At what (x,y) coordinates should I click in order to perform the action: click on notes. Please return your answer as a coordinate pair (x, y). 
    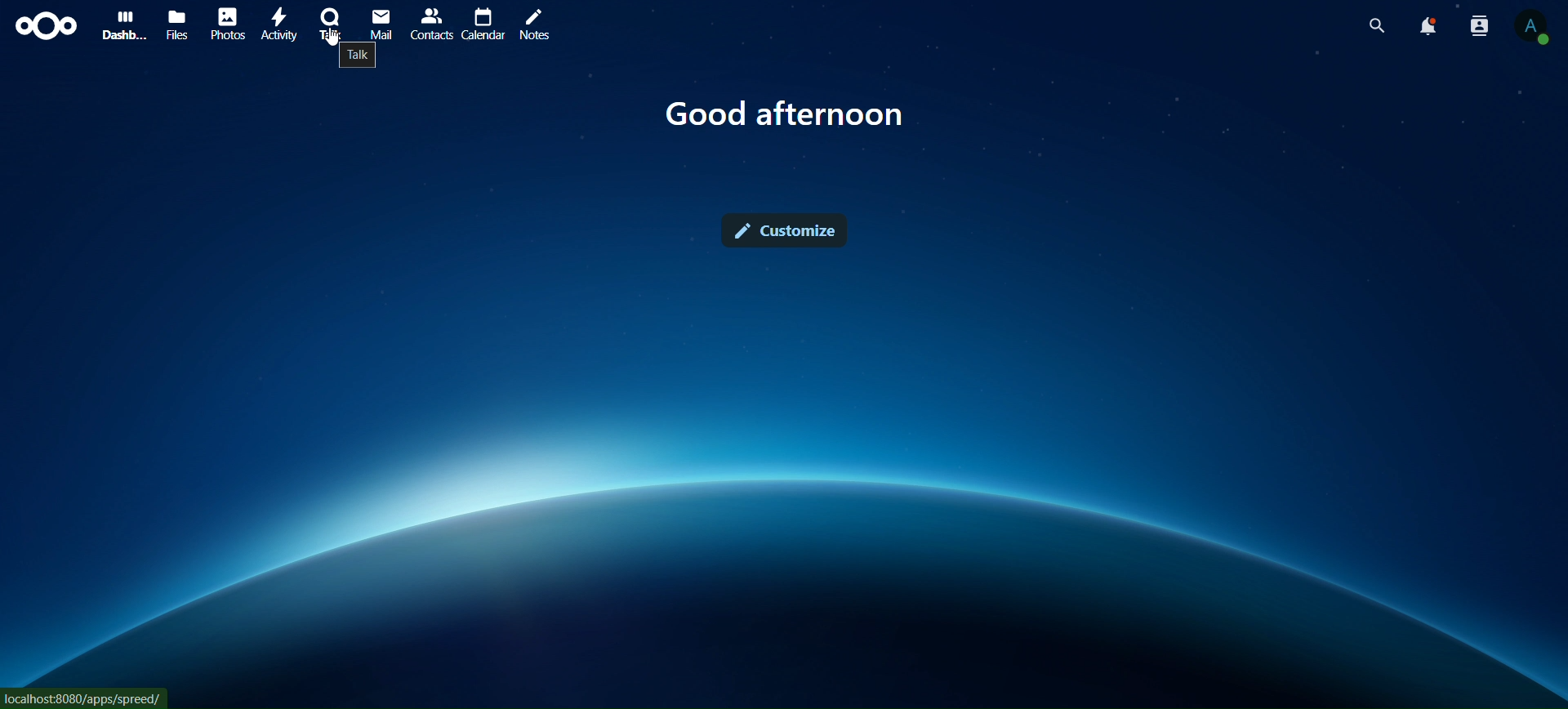
    Looking at the image, I should click on (534, 24).